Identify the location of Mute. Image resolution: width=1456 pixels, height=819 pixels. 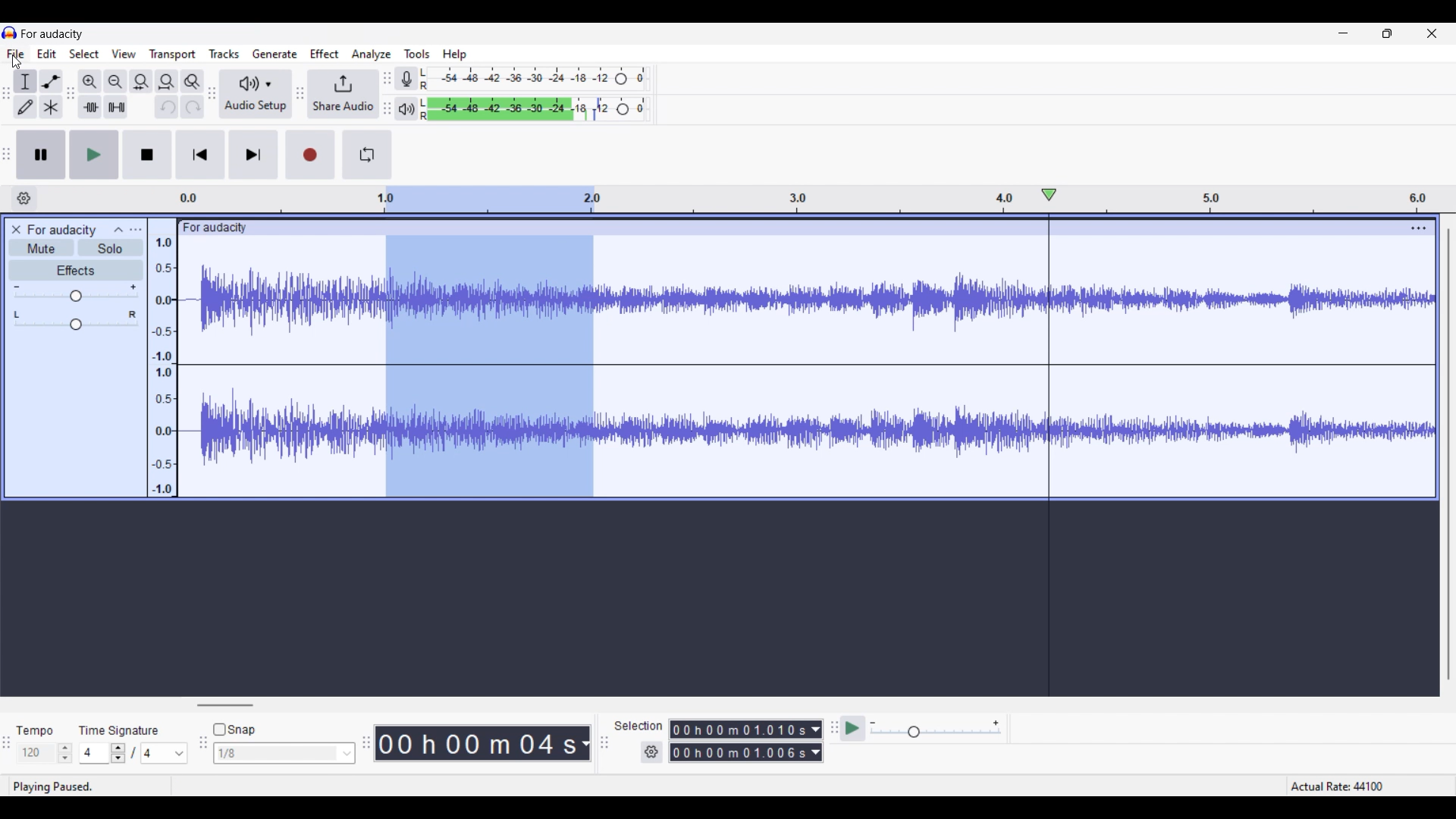
(40, 248).